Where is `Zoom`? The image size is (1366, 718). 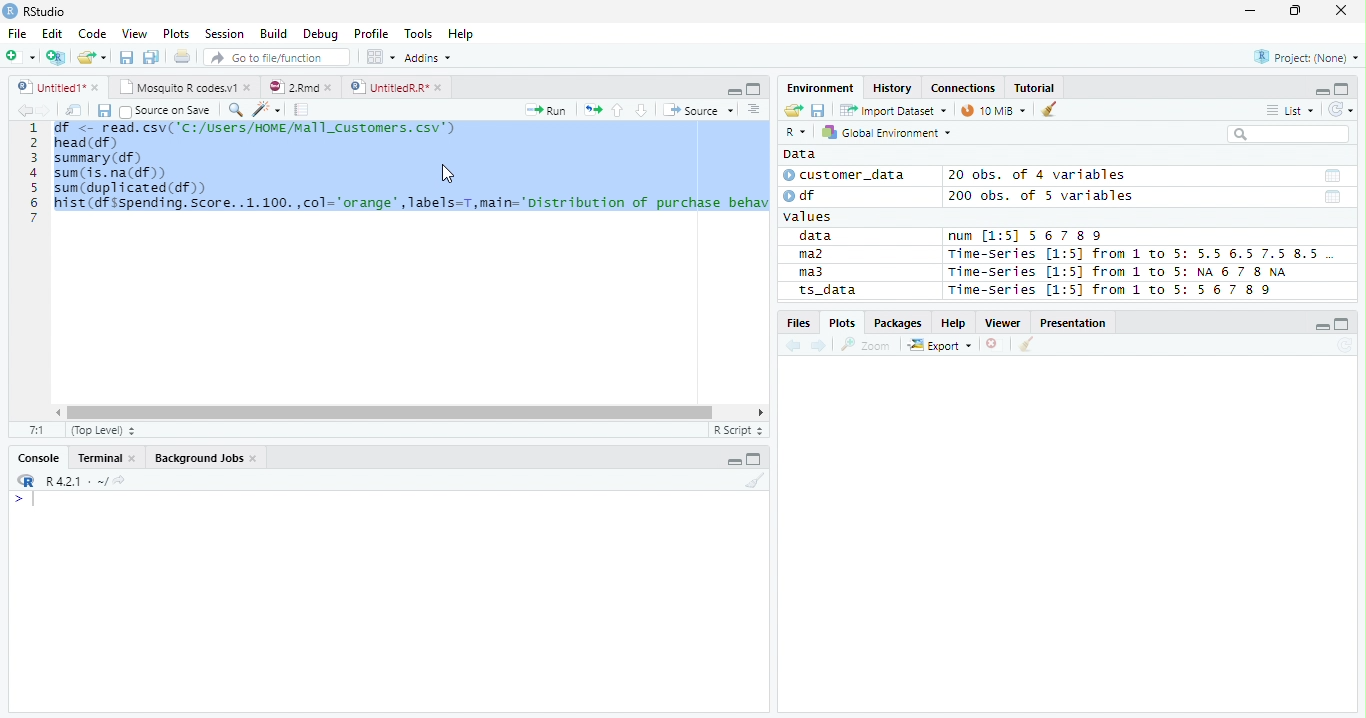 Zoom is located at coordinates (866, 345).